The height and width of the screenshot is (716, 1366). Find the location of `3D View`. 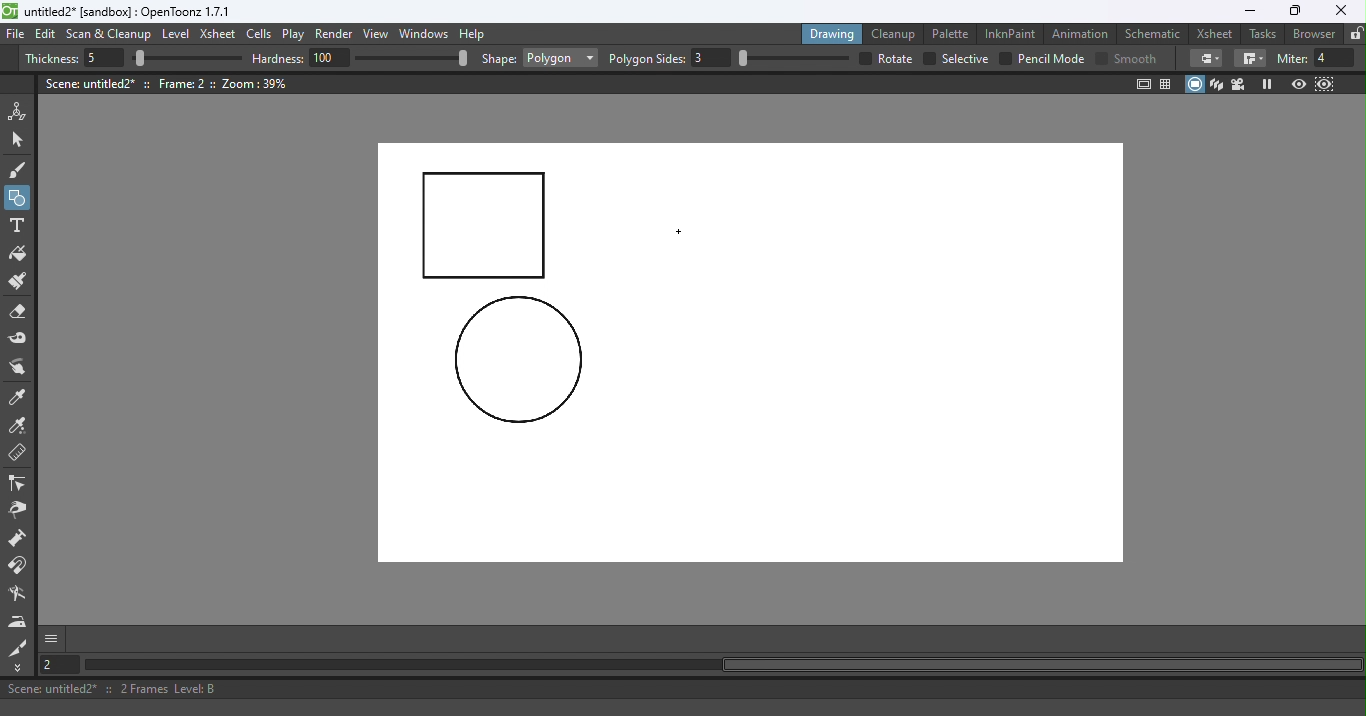

3D View is located at coordinates (1218, 84).